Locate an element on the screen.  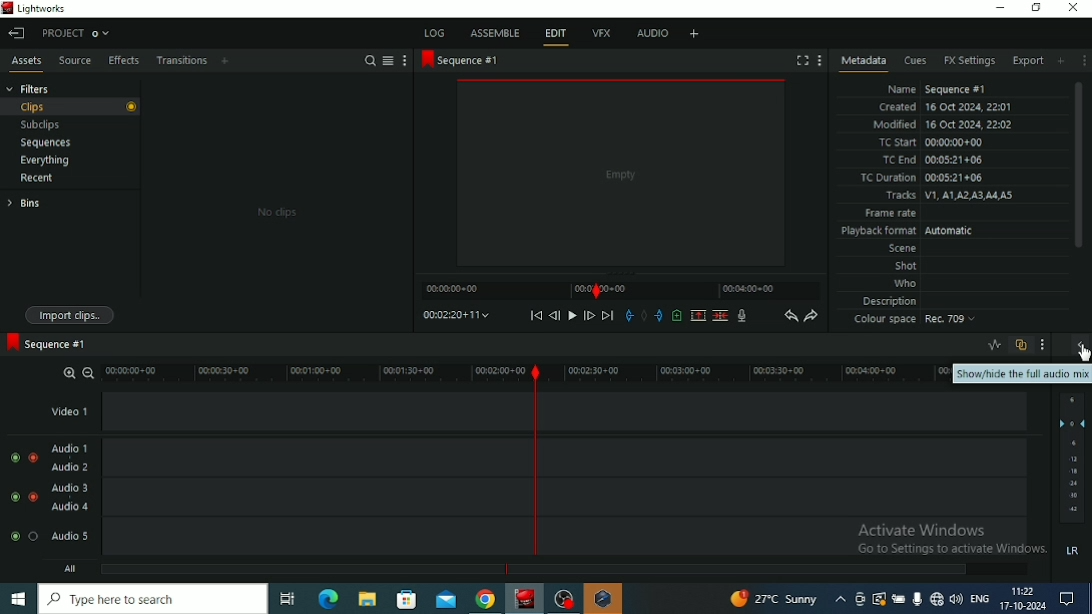
Shot is located at coordinates (906, 265).